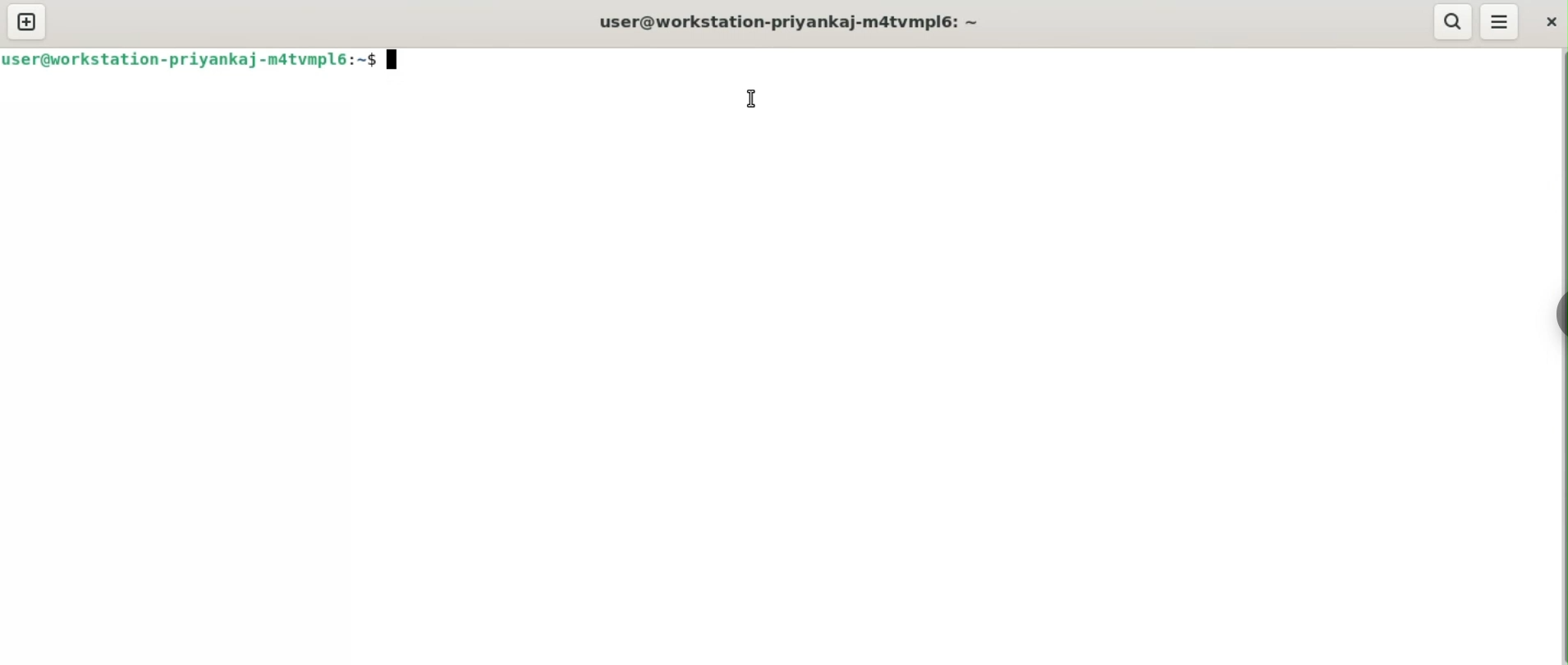 Image resolution: width=1568 pixels, height=665 pixels. What do you see at coordinates (1504, 22) in the screenshot?
I see `More Options` at bounding box center [1504, 22].